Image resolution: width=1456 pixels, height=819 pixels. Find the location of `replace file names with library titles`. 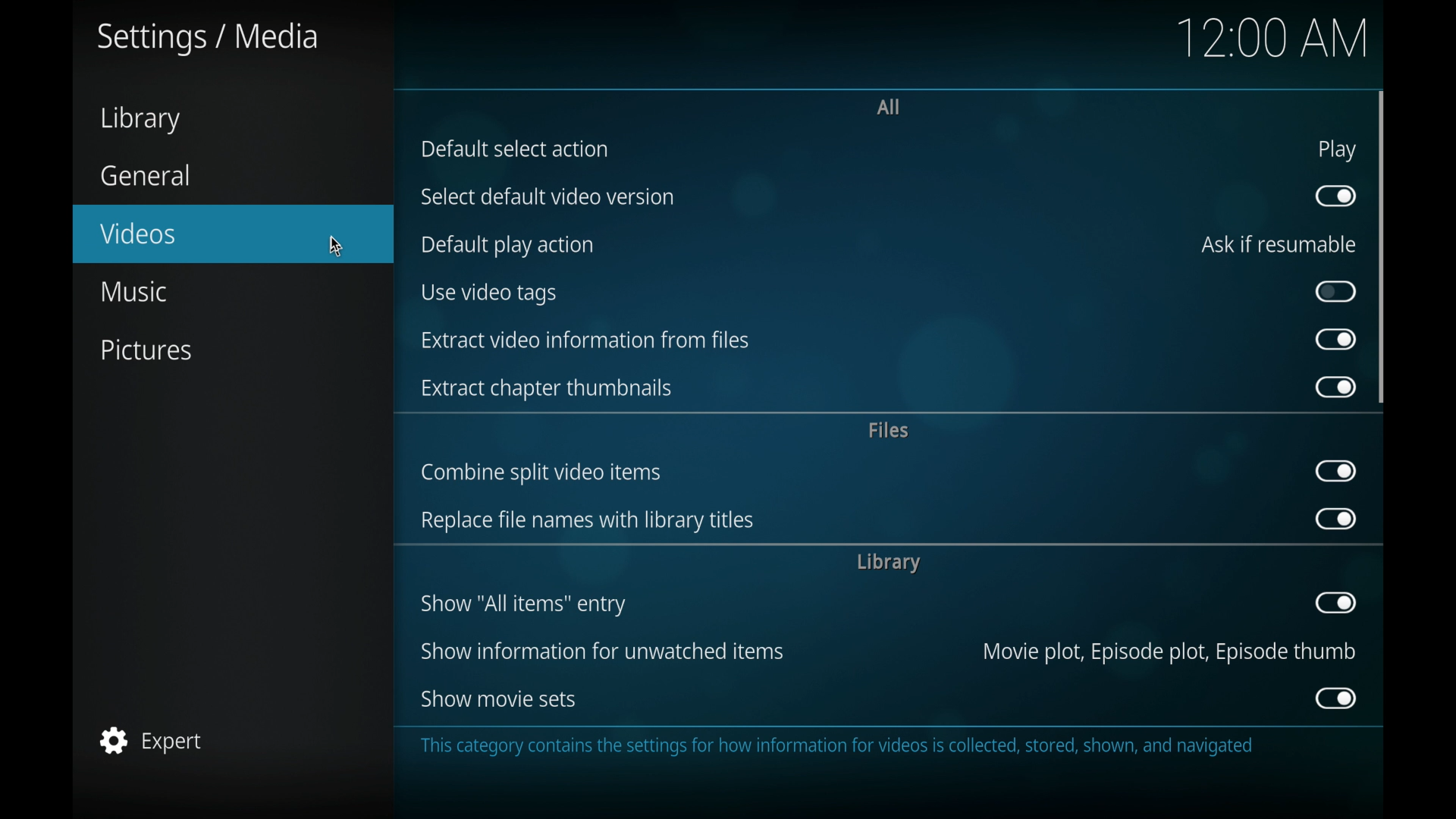

replace file names with library titles is located at coordinates (587, 522).